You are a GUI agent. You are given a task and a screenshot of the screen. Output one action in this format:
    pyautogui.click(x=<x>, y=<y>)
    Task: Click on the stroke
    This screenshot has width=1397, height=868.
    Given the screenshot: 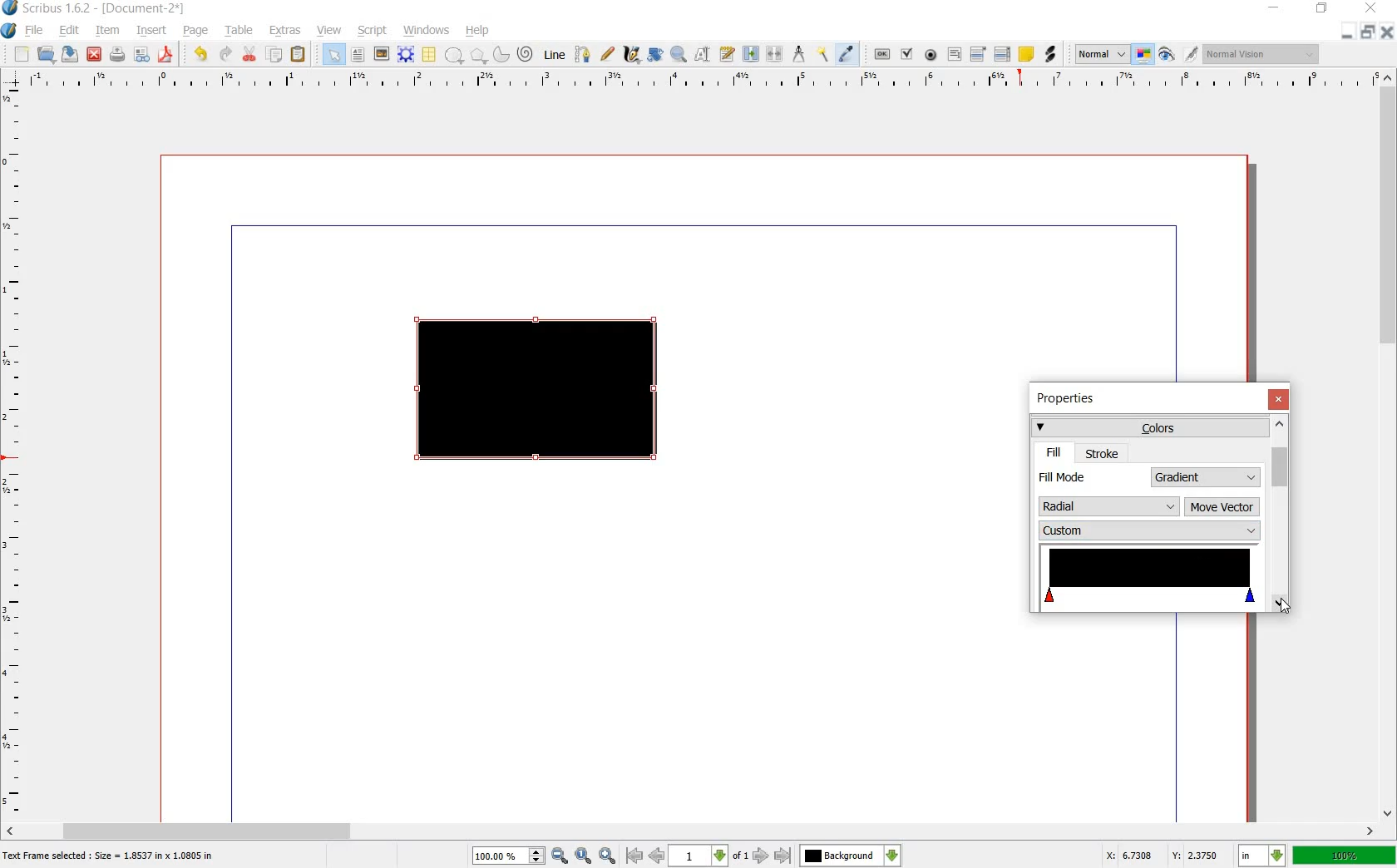 What is the action you would take?
    pyautogui.click(x=1103, y=453)
    